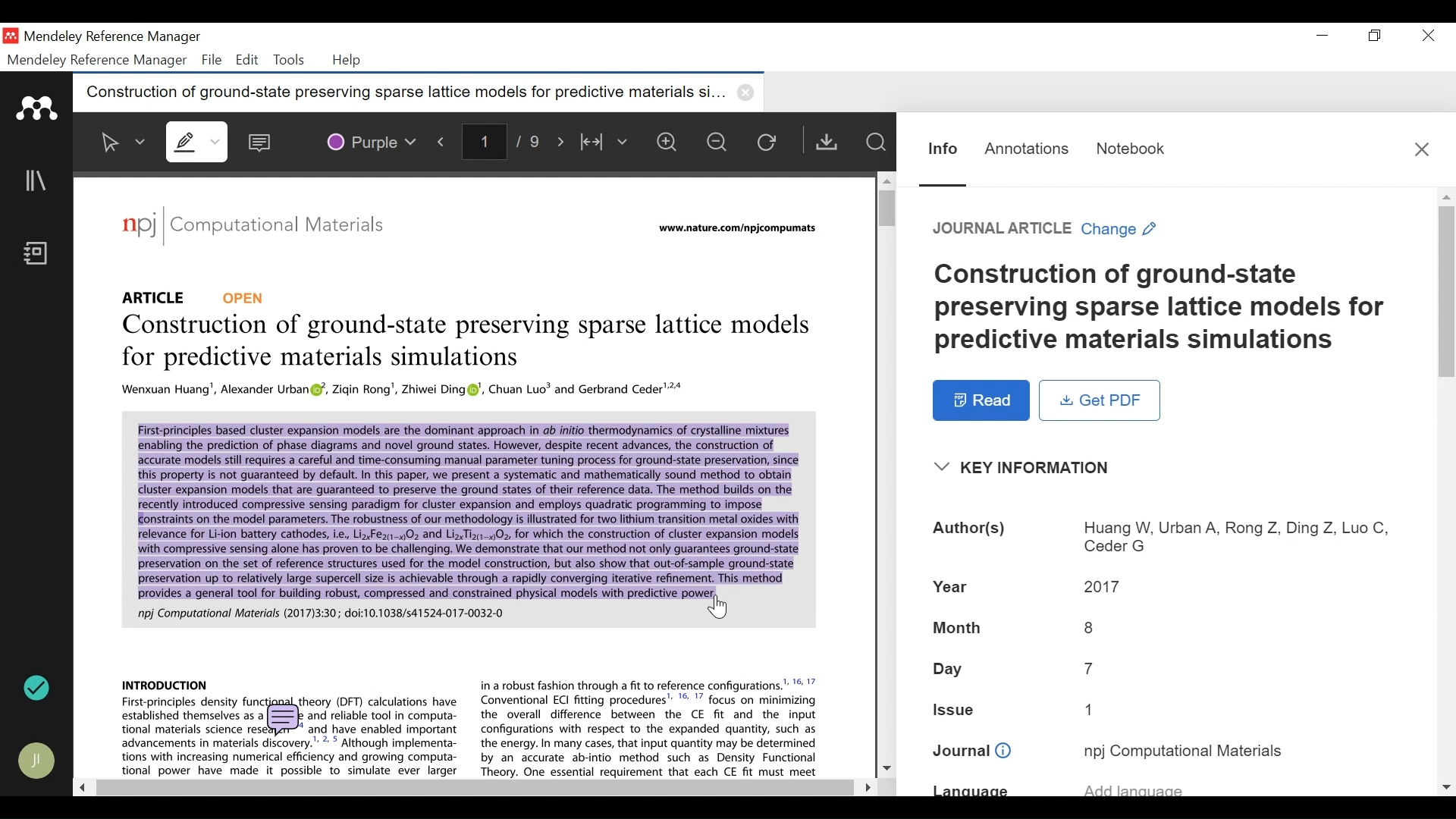  What do you see at coordinates (263, 139) in the screenshot?
I see `Sticky Note` at bounding box center [263, 139].